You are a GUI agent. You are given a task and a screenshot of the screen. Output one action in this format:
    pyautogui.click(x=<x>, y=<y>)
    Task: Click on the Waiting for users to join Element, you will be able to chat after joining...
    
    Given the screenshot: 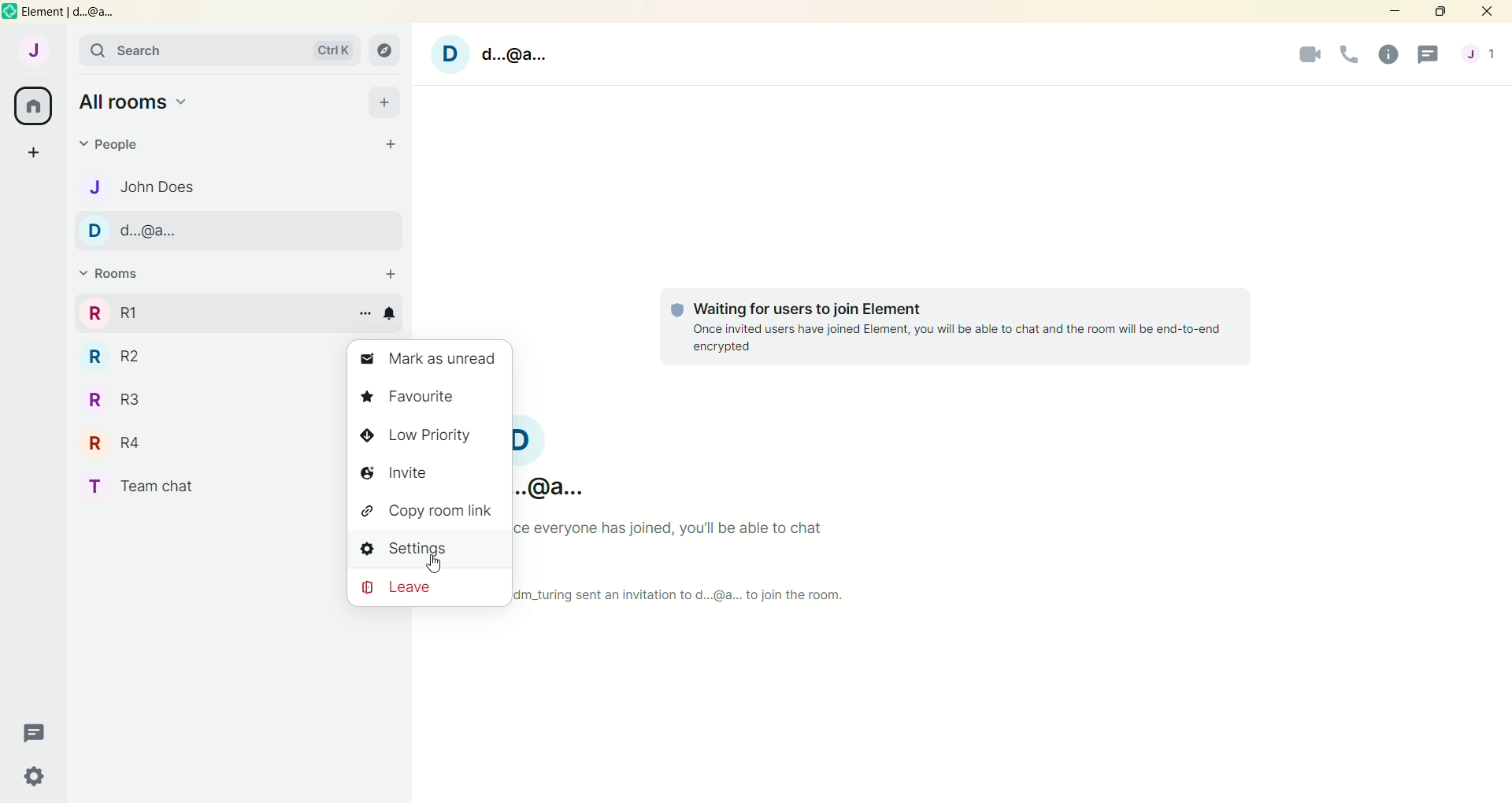 What is the action you would take?
    pyautogui.click(x=947, y=331)
    